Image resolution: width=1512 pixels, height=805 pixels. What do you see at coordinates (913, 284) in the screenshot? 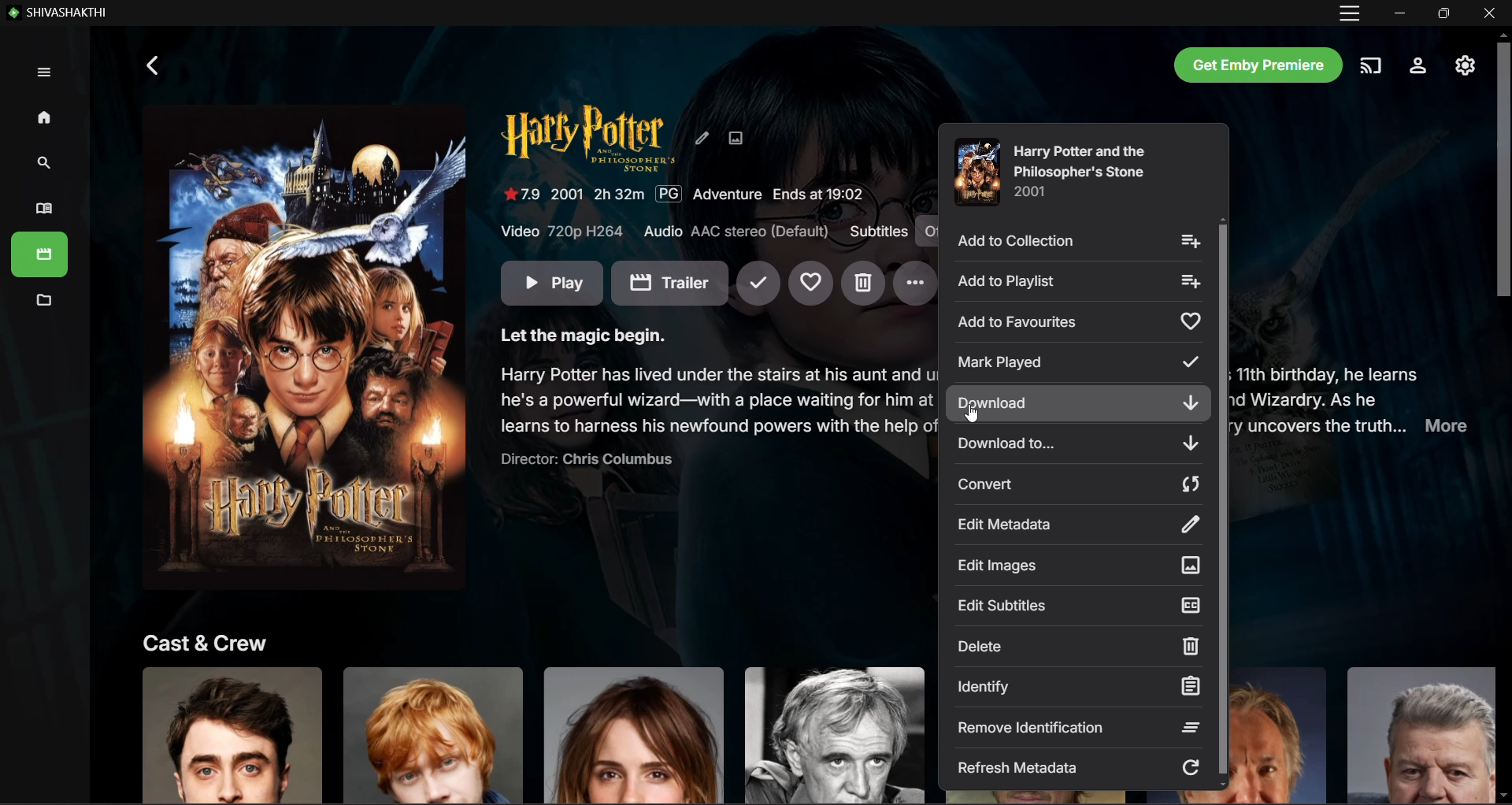
I see `More` at bounding box center [913, 284].